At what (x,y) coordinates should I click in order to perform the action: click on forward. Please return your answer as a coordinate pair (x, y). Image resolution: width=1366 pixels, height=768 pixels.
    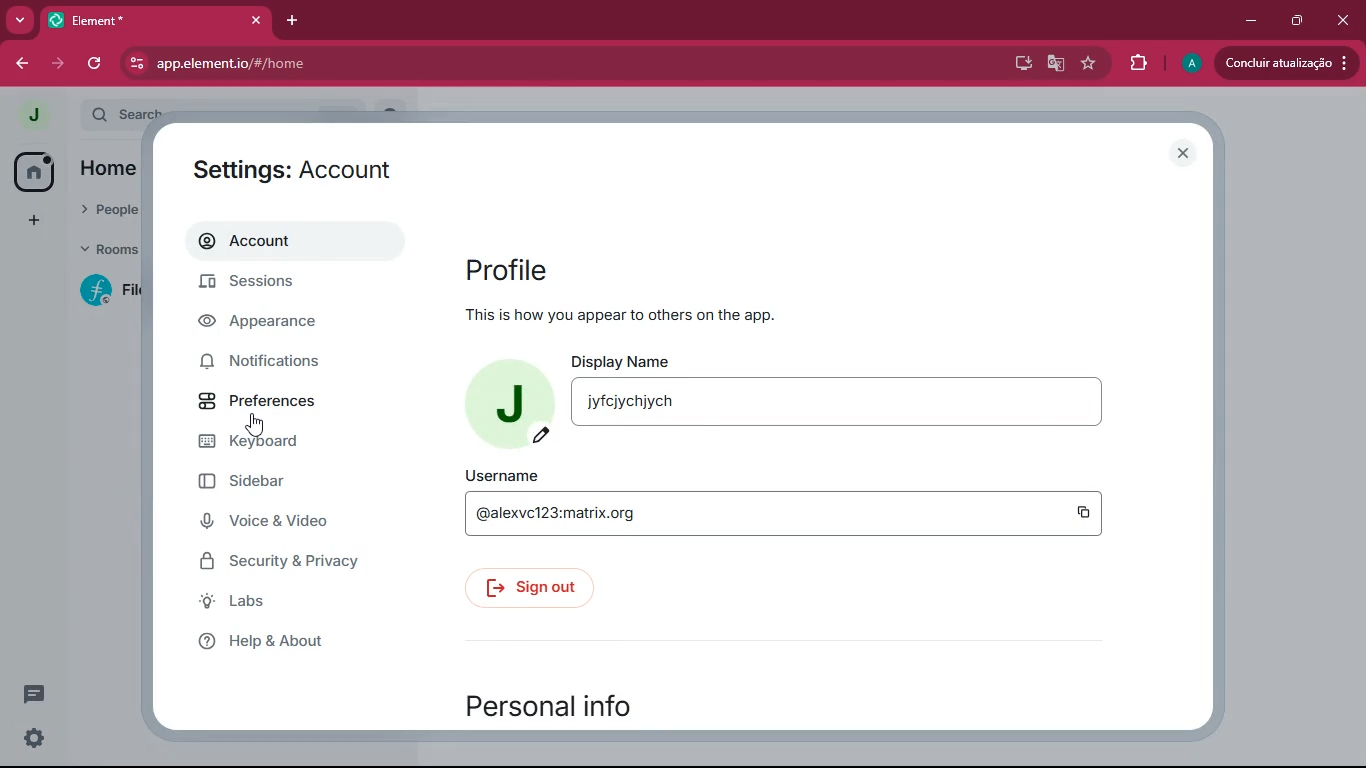
    Looking at the image, I should click on (56, 64).